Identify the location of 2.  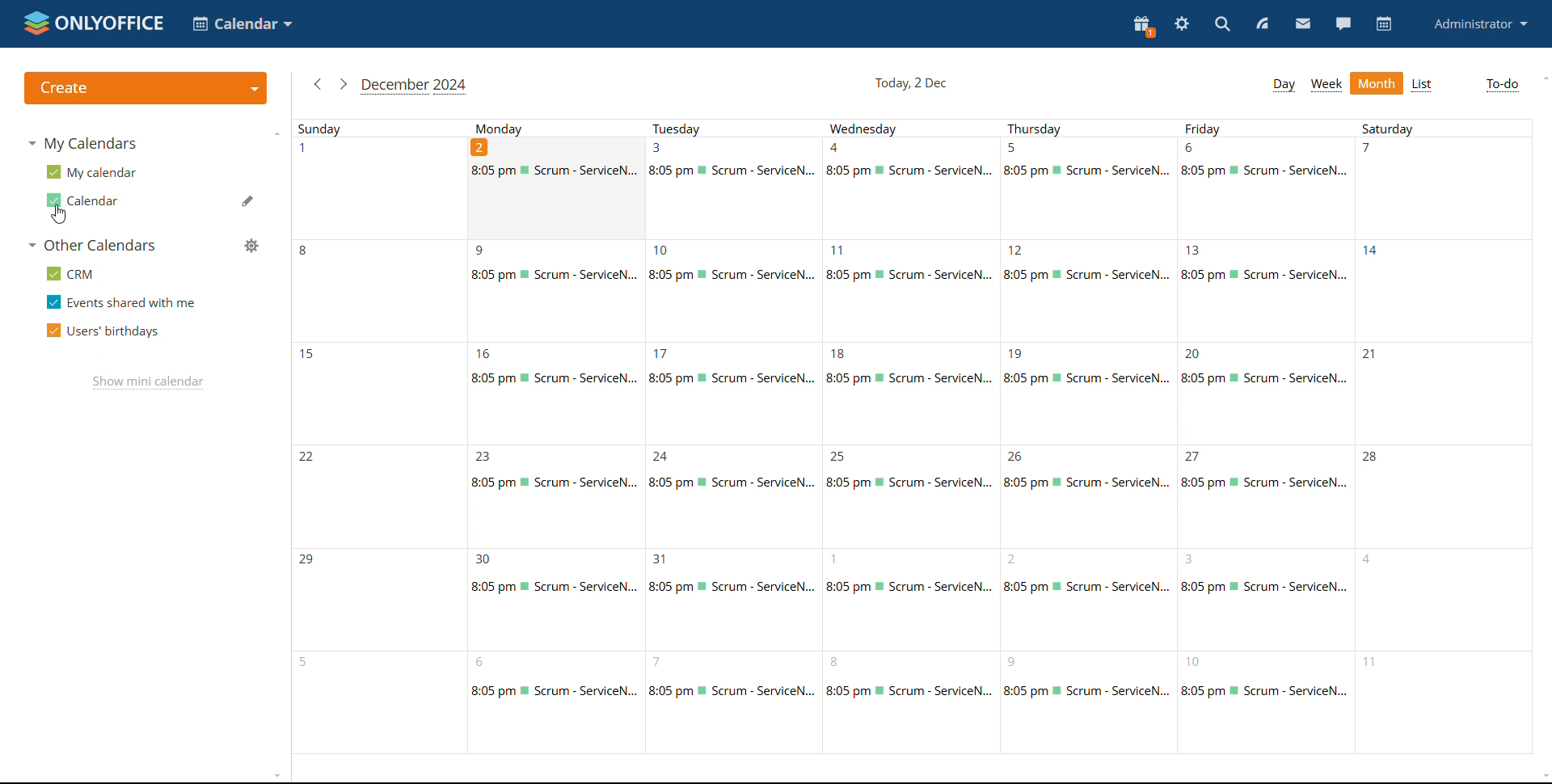
(1086, 598).